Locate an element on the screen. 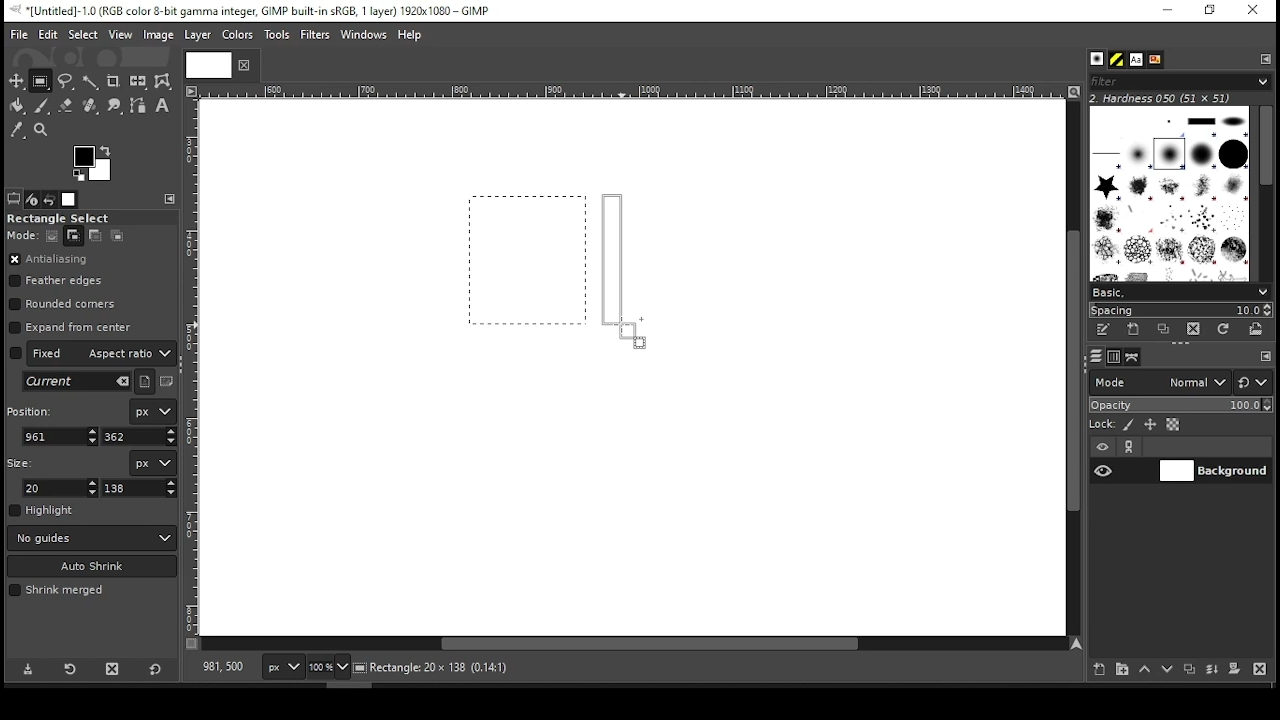 This screenshot has width=1280, height=720. color is located at coordinates (238, 34).